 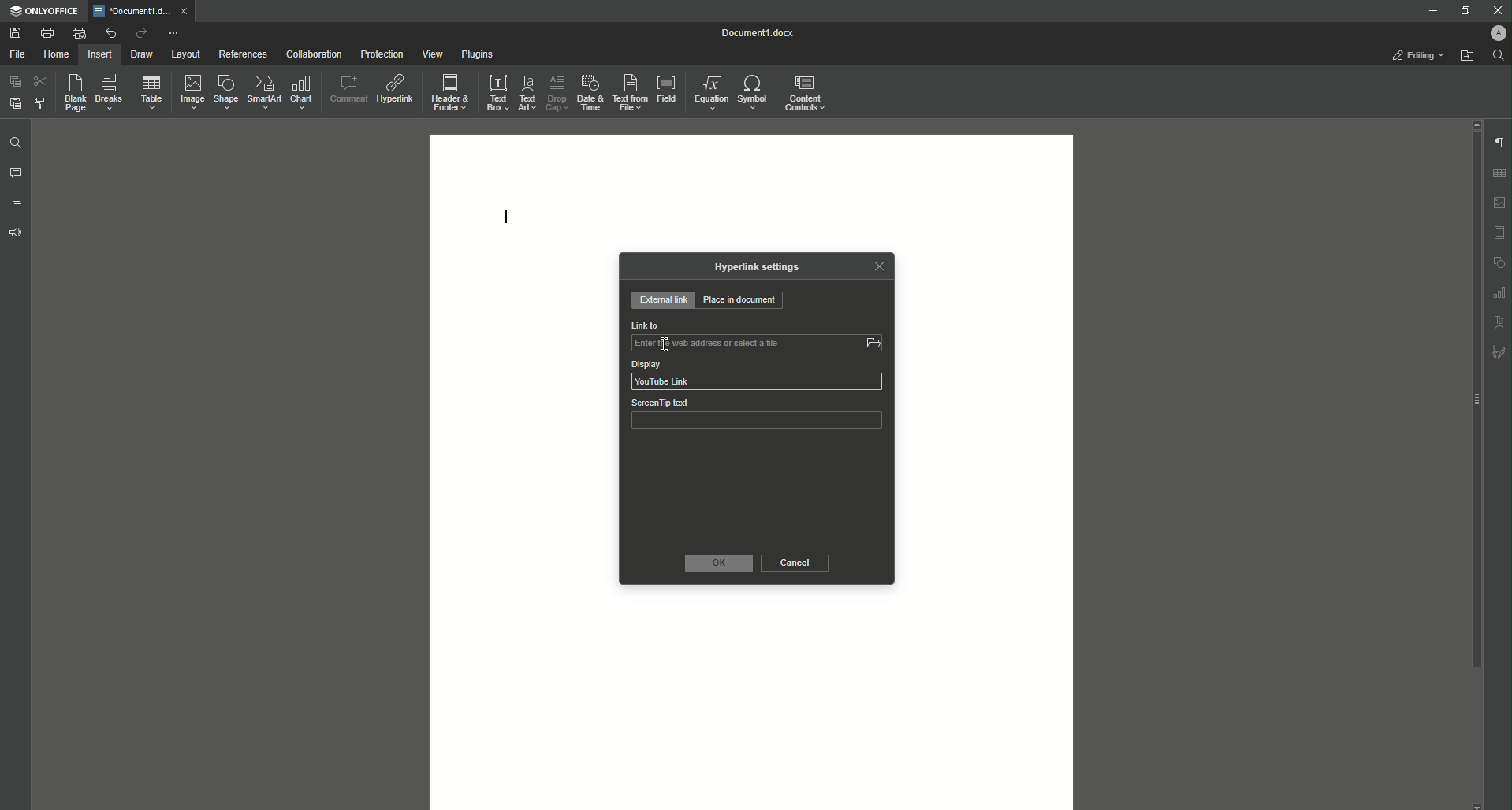 I want to click on Headings, so click(x=16, y=203).